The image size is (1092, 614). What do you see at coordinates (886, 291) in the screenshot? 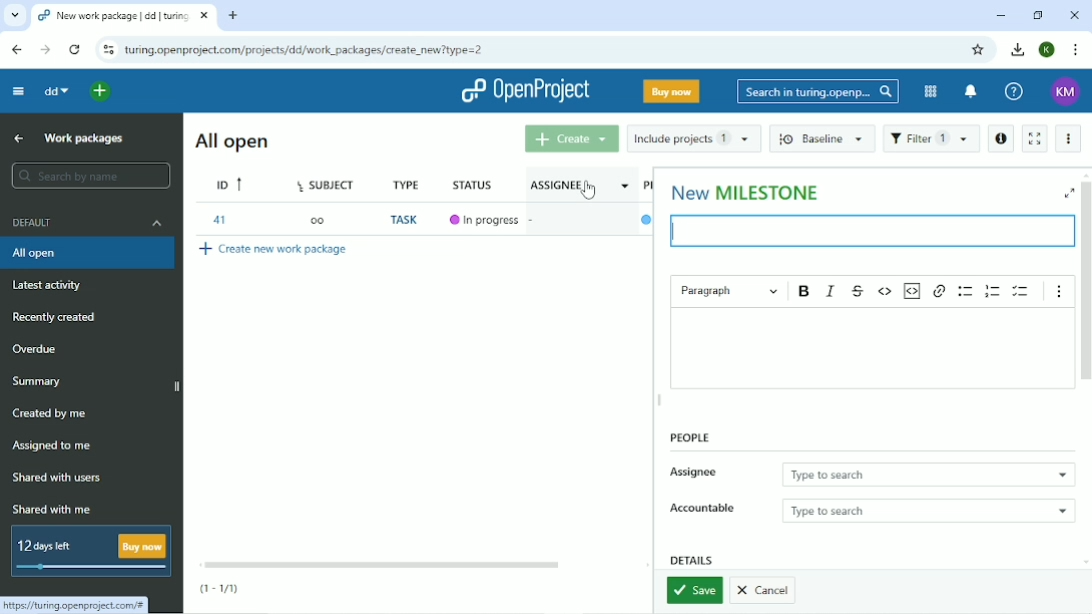
I see `Code` at bounding box center [886, 291].